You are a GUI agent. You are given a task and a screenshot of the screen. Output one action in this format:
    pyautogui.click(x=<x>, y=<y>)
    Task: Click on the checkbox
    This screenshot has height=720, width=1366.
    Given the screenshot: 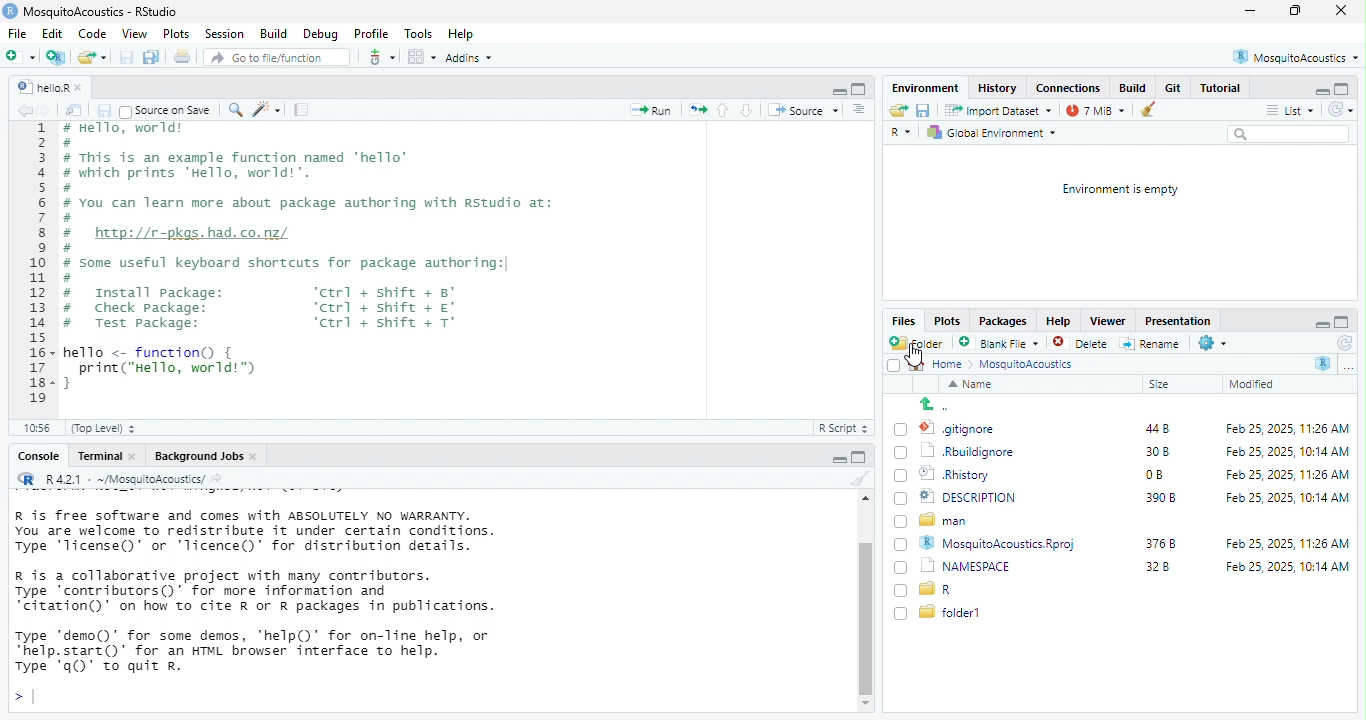 What is the action you would take?
    pyautogui.click(x=903, y=568)
    